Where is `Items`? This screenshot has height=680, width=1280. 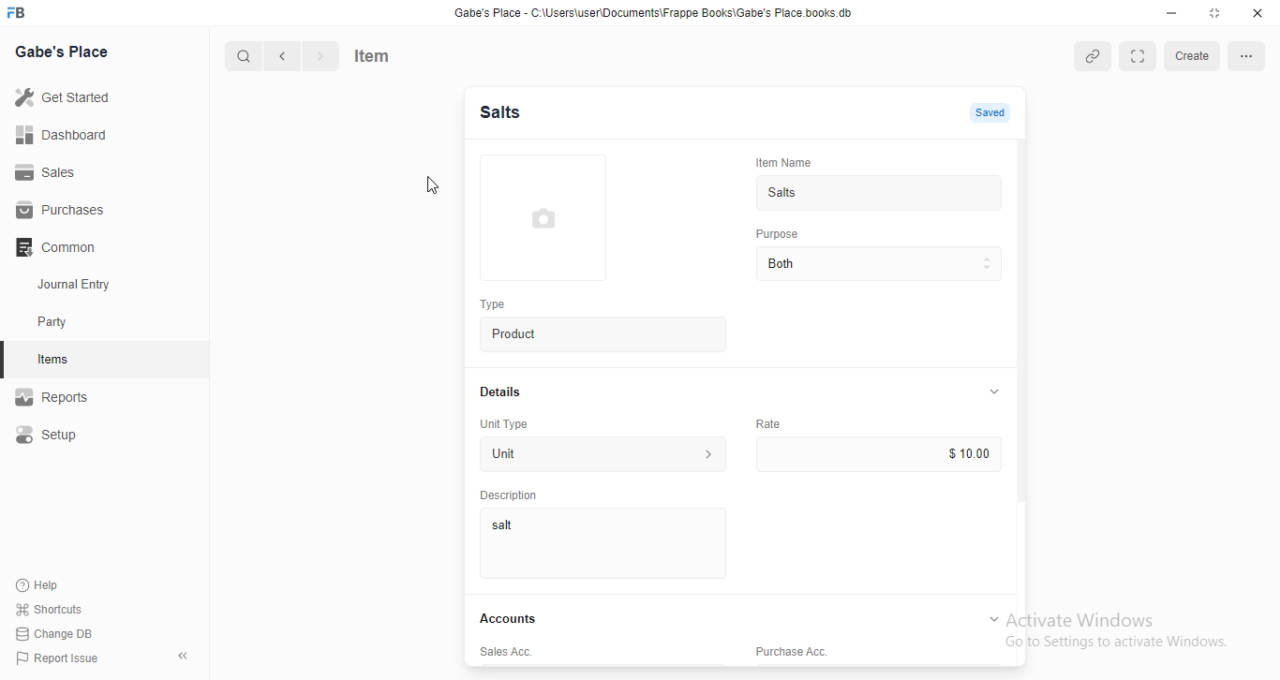
Items is located at coordinates (386, 55).